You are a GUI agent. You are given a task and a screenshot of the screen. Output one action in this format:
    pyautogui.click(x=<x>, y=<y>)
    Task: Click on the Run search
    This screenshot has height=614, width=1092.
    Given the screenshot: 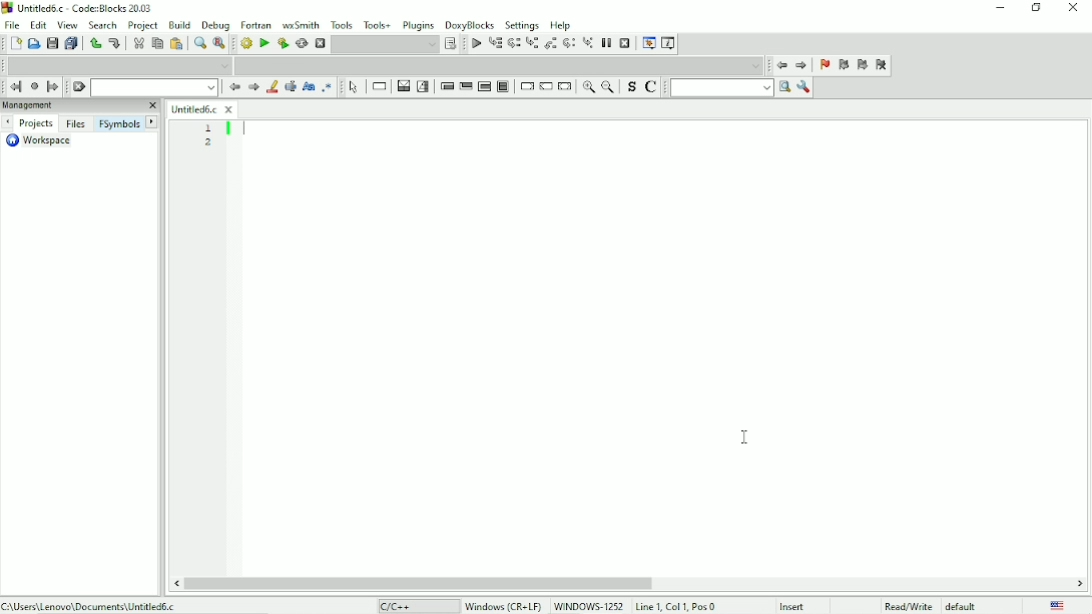 What is the action you would take?
    pyautogui.click(x=731, y=88)
    